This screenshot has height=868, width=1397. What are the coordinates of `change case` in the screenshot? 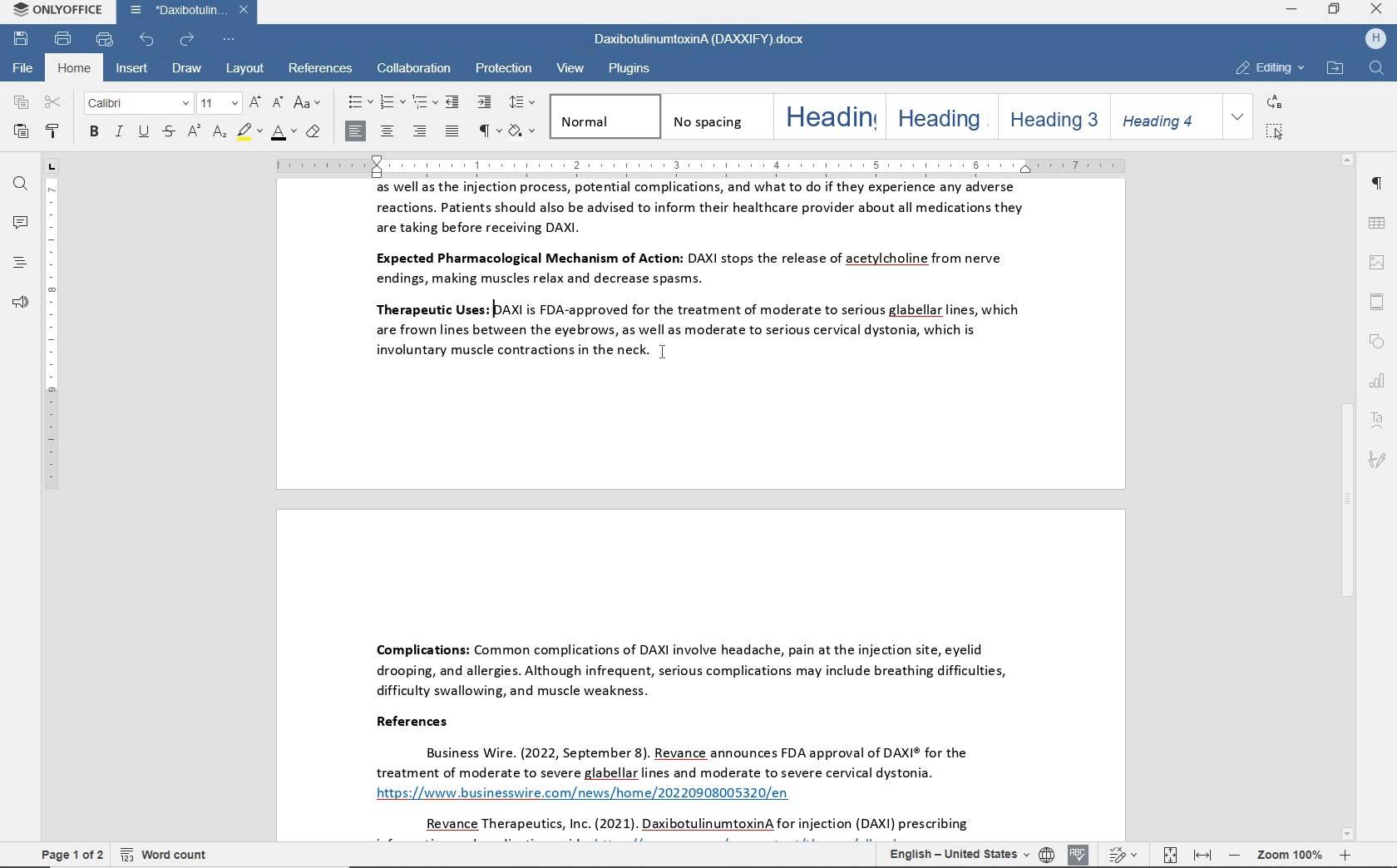 It's located at (307, 102).